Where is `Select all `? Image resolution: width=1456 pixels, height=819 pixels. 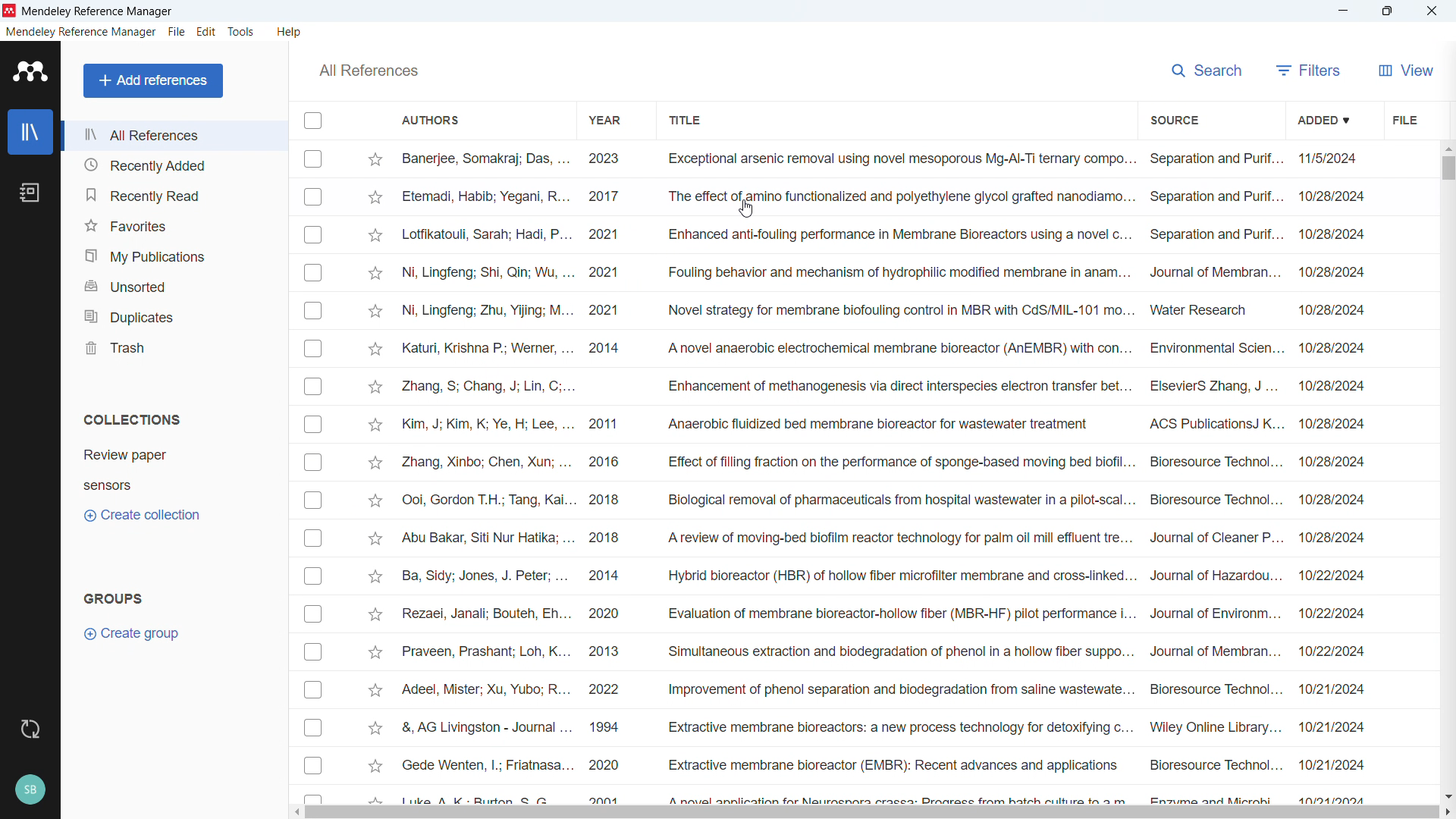
Select all  is located at coordinates (312, 121).